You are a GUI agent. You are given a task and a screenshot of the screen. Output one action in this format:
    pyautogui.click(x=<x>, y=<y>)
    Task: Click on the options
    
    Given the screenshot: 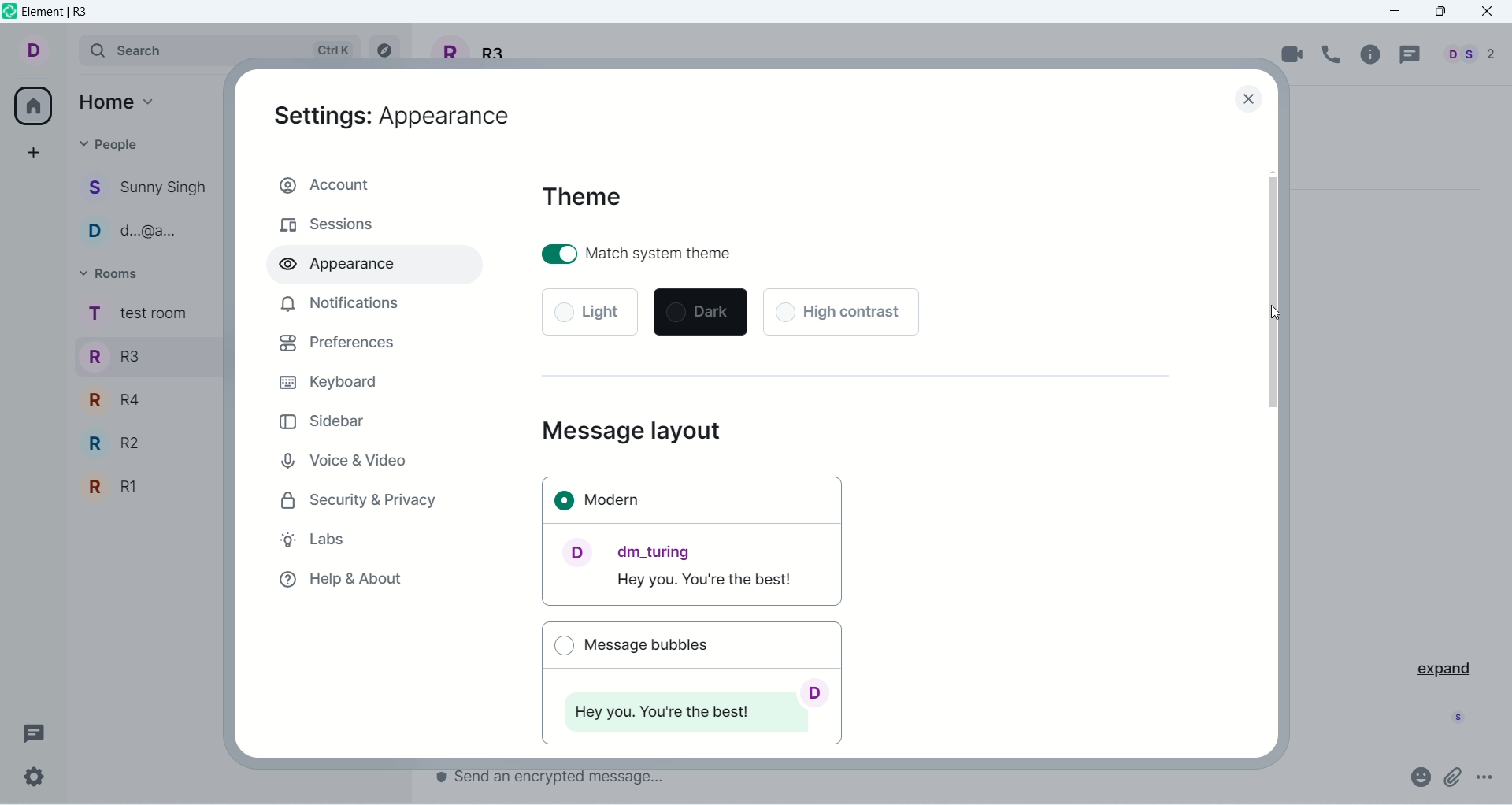 What is the action you would take?
    pyautogui.click(x=1483, y=775)
    